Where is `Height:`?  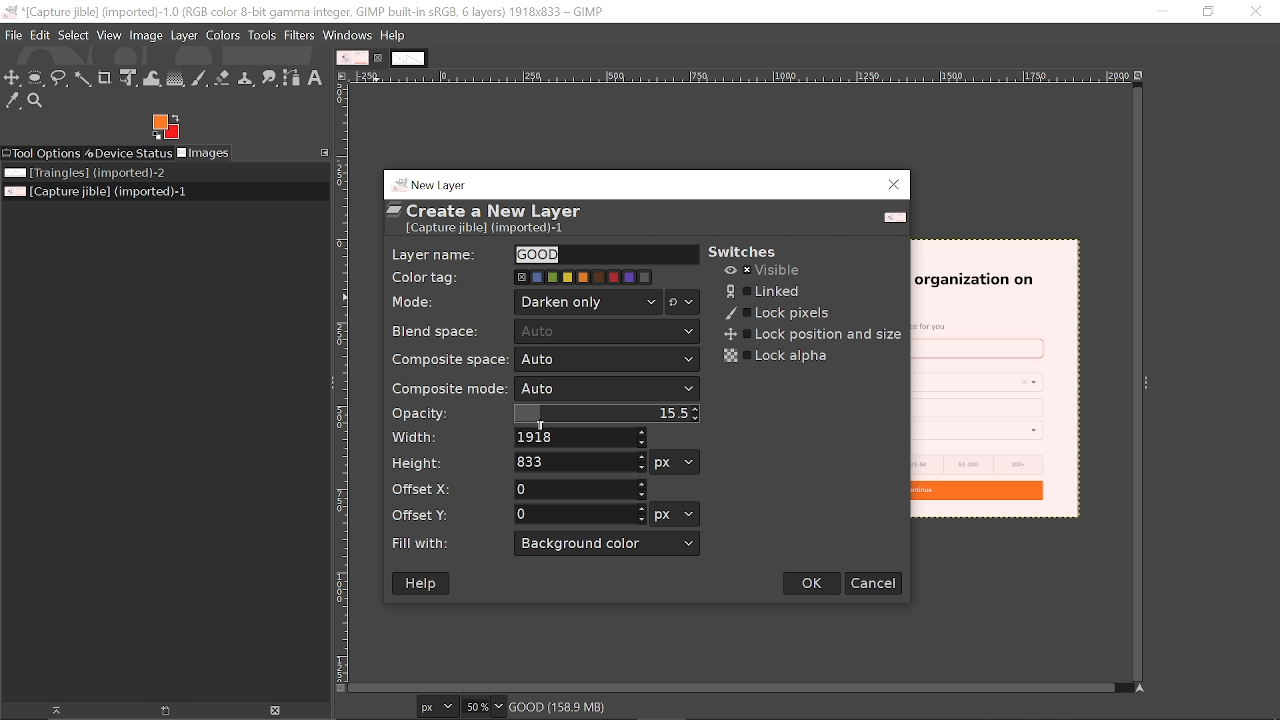
Height: is located at coordinates (417, 462).